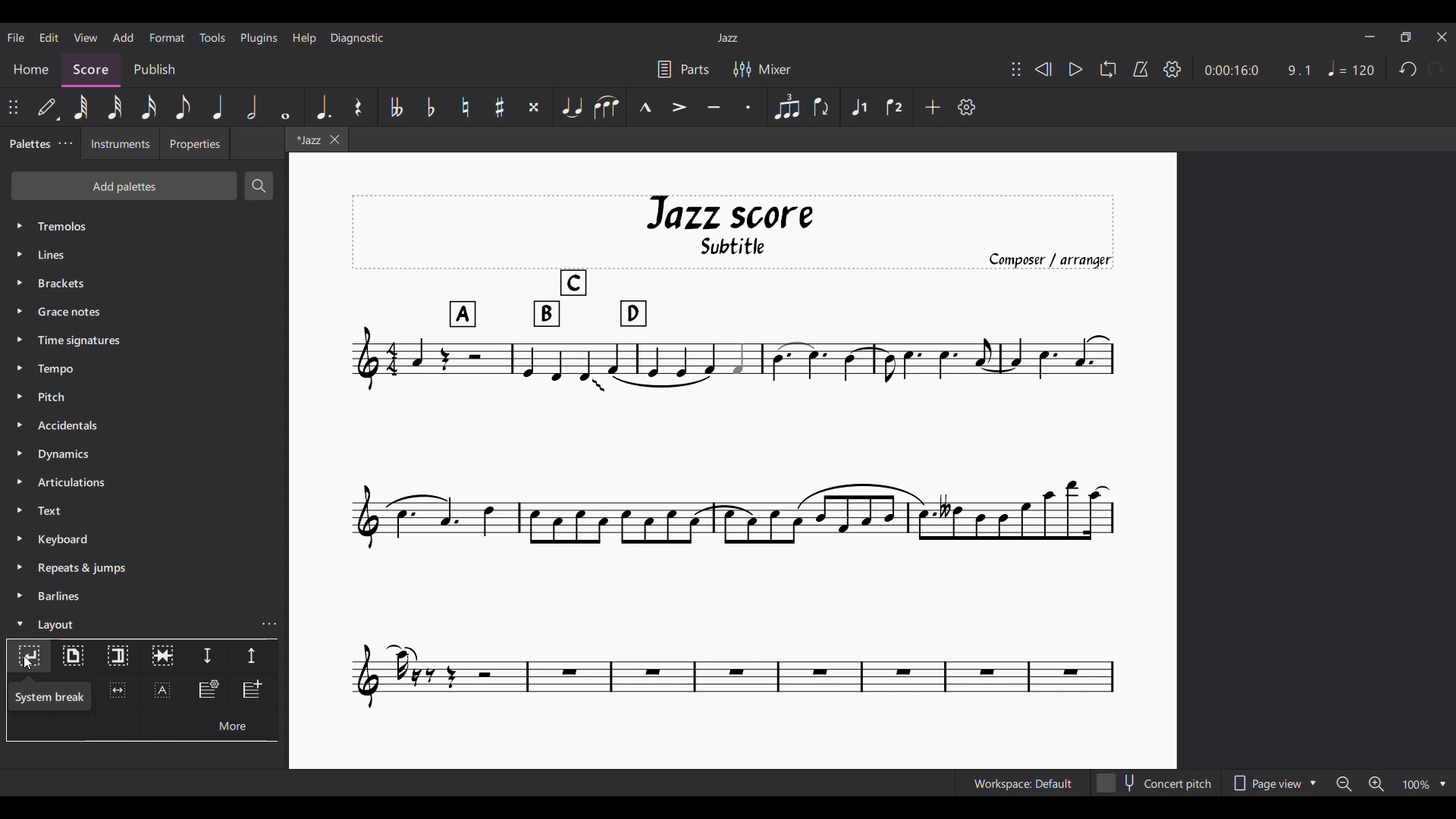 The height and width of the screenshot is (819, 1456). Describe the element at coordinates (1344, 783) in the screenshot. I see `Zoom out` at that location.